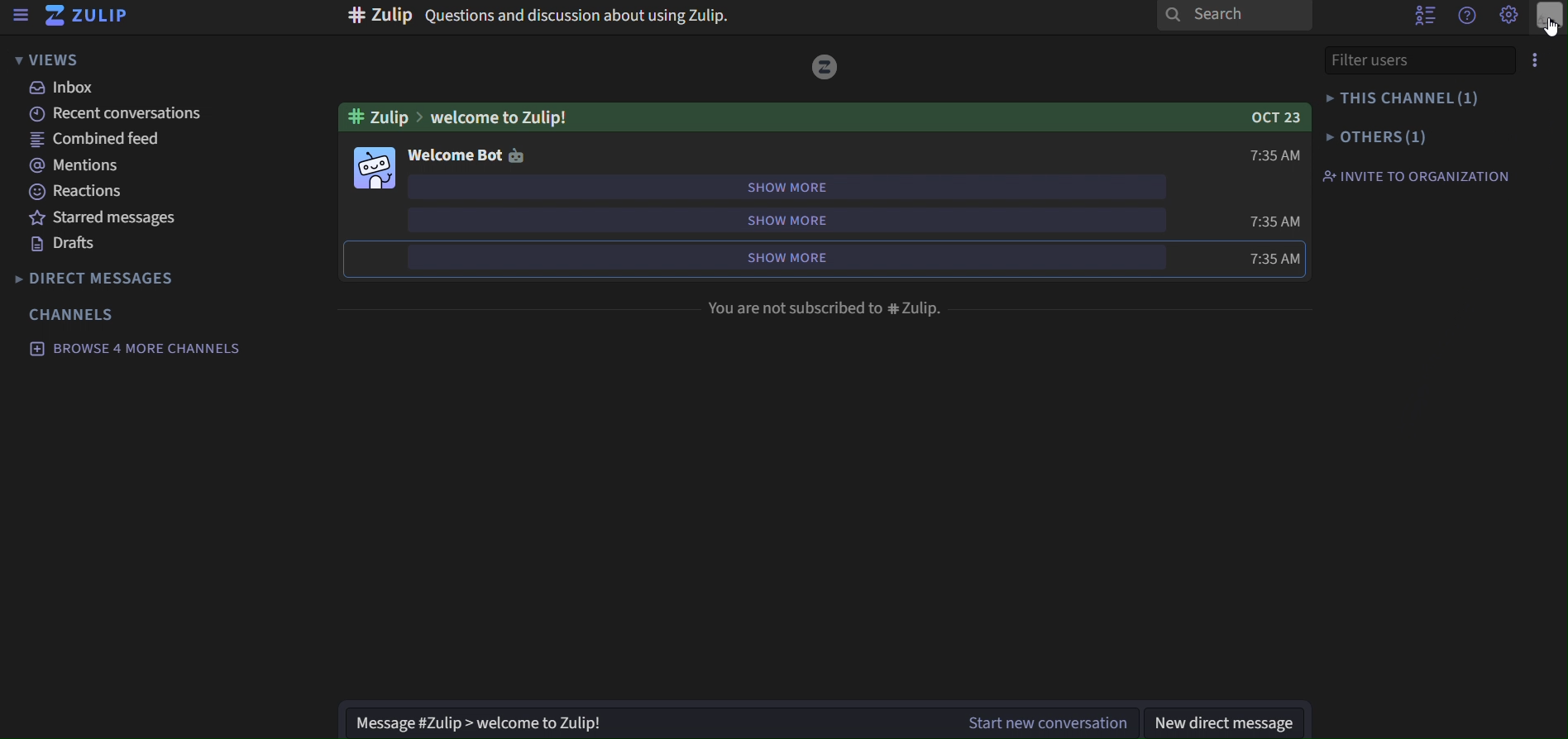 The image size is (1568, 739). Describe the element at coordinates (791, 184) in the screenshot. I see `show more` at that location.